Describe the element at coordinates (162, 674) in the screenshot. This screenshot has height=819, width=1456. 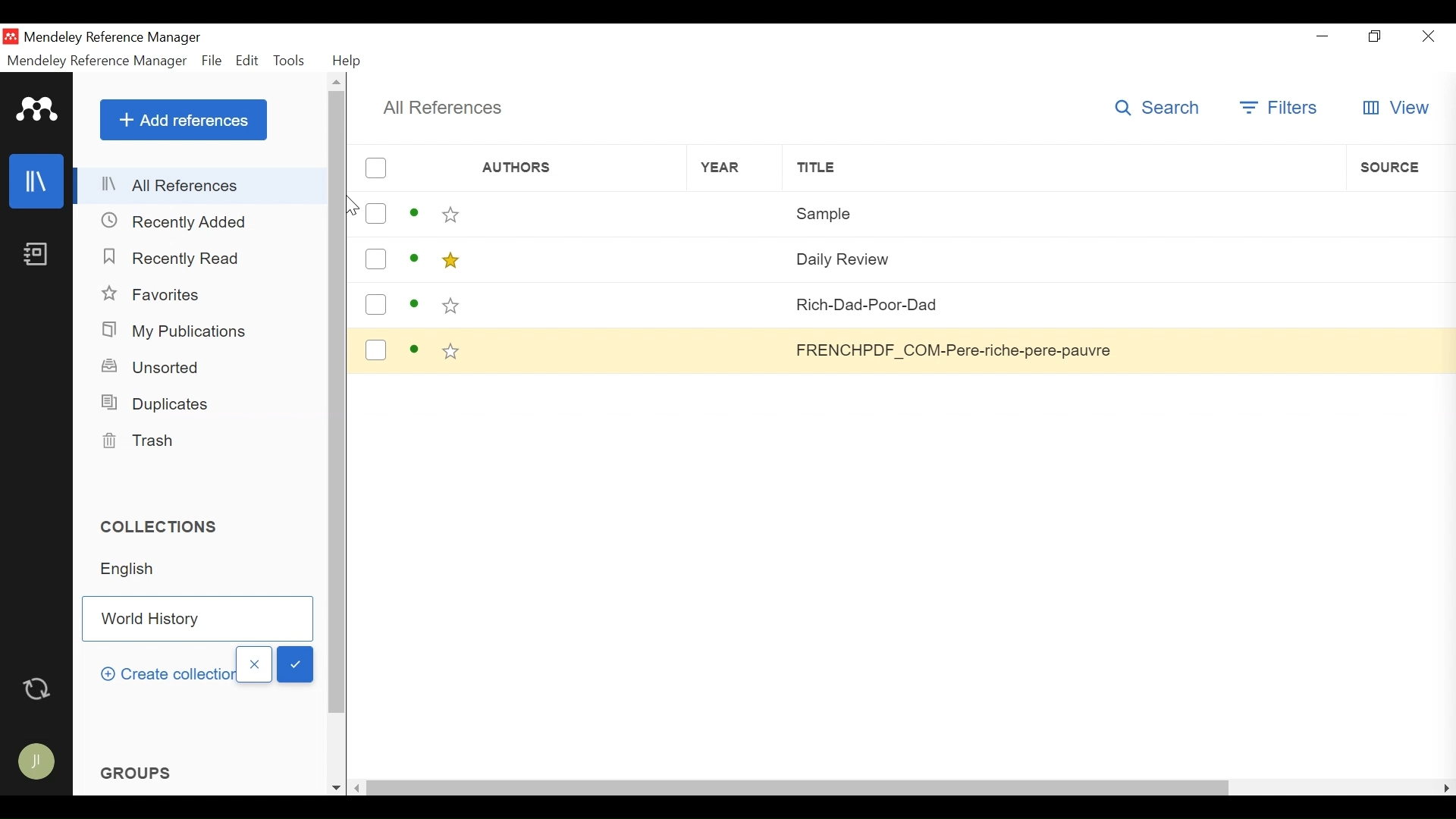
I see `Create Collecion` at that location.